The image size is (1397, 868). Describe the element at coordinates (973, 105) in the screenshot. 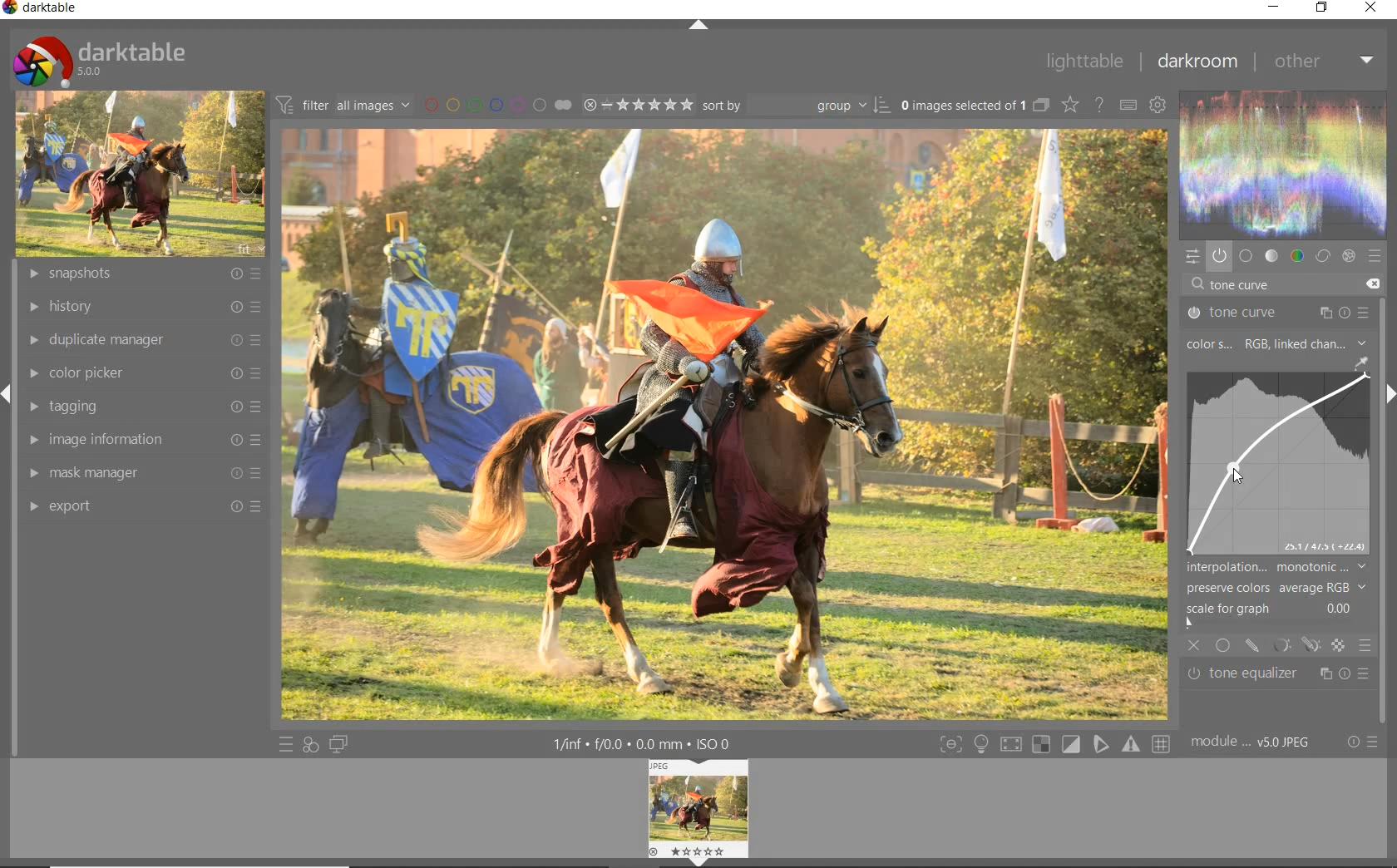

I see `0 images (#.... lected of 1)` at that location.